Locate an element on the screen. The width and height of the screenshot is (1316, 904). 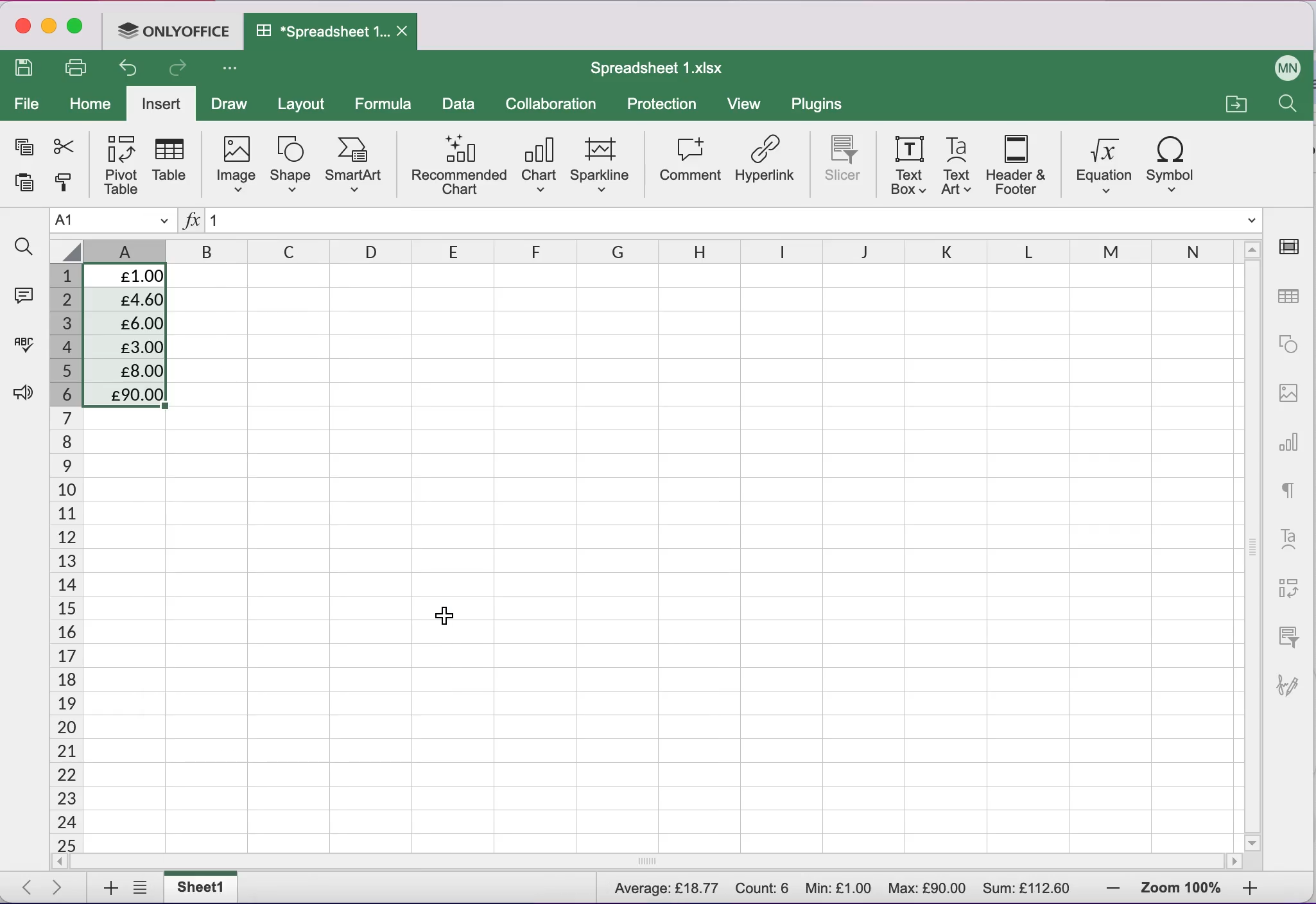
slicer is located at coordinates (1287, 640).